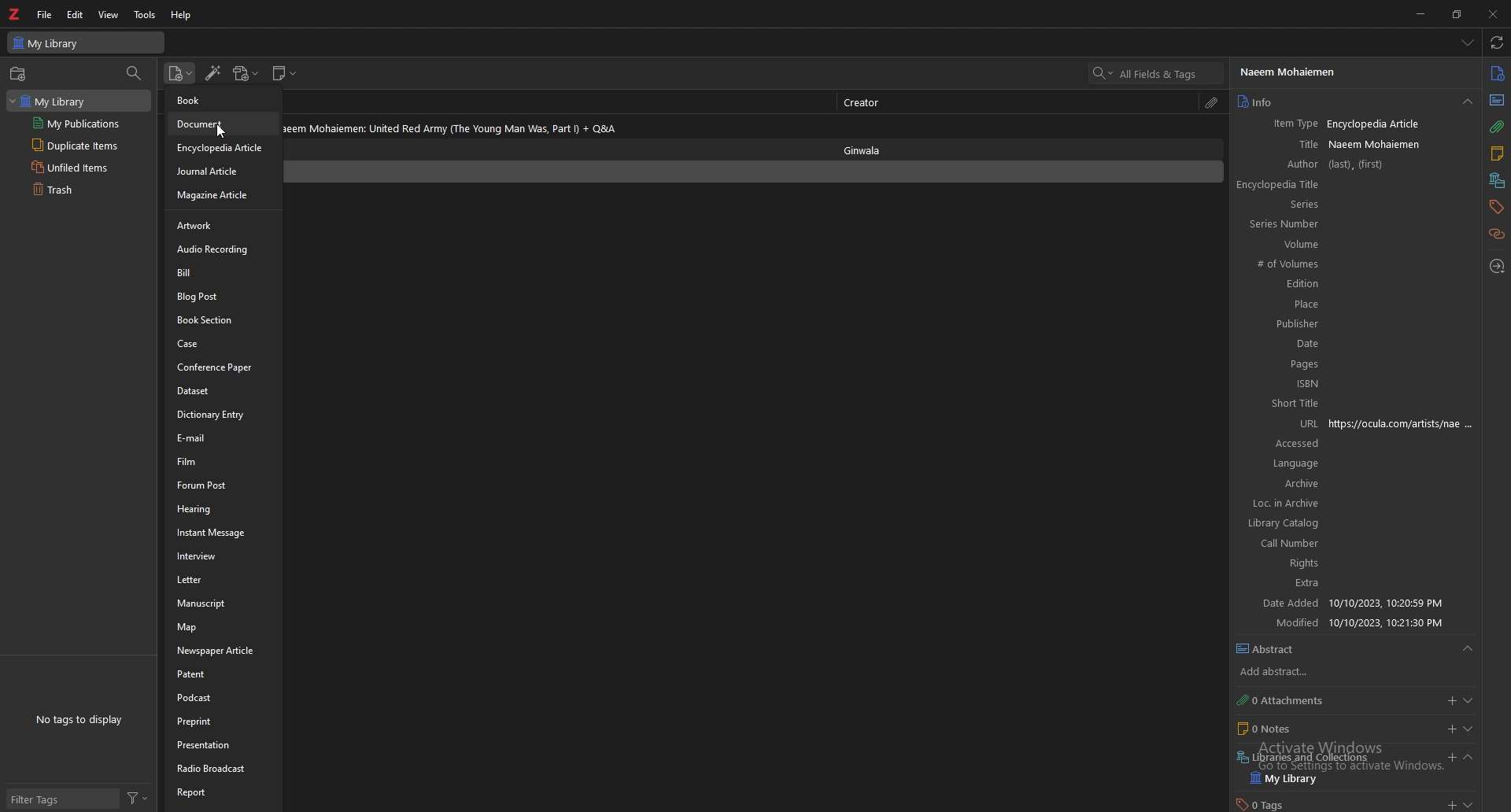  Describe the element at coordinates (221, 131) in the screenshot. I see `Cursor` at that location.